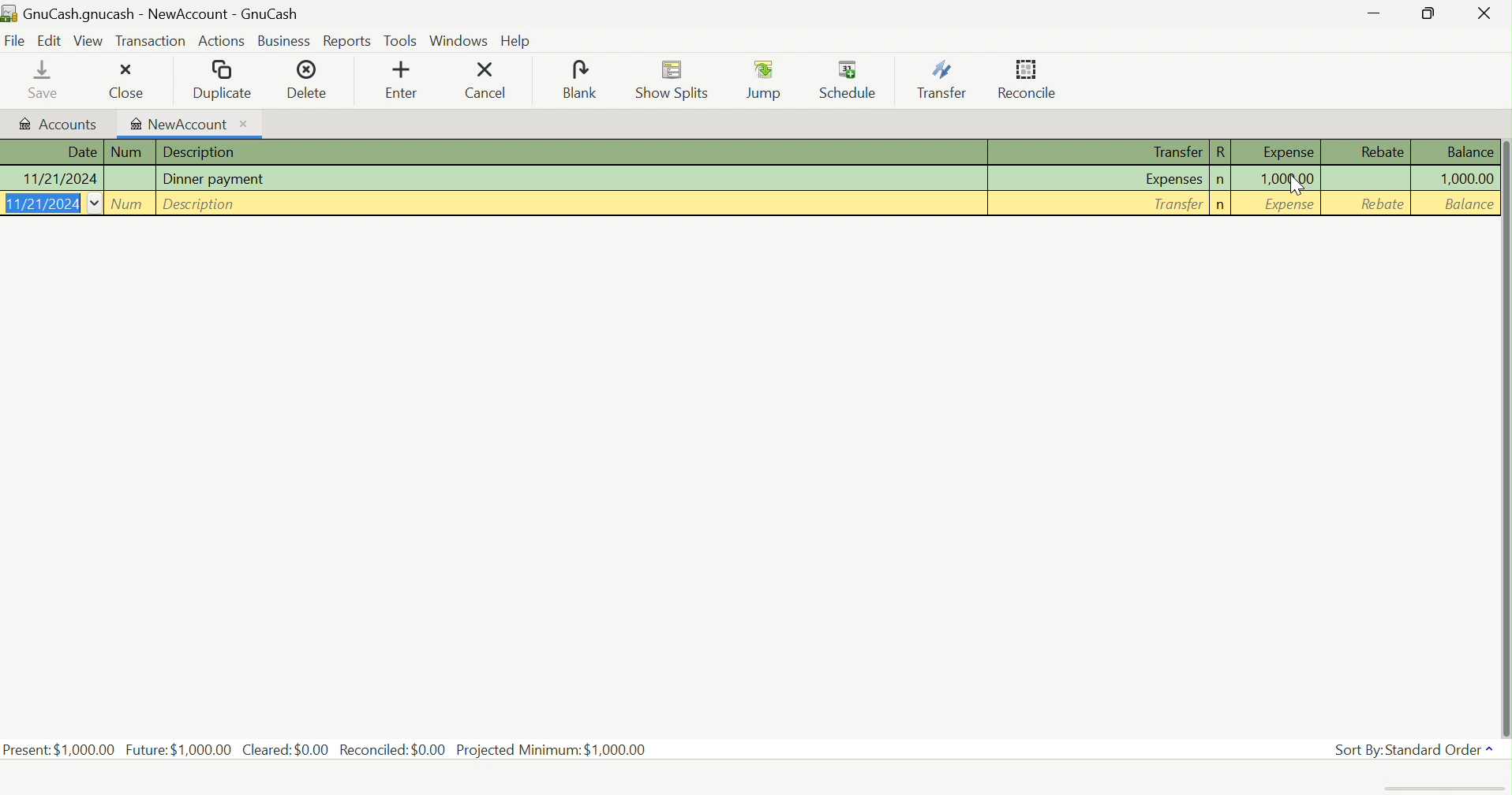 This screenshot has width=1512, height=795. I want to click on Reports, so click(347, 42).